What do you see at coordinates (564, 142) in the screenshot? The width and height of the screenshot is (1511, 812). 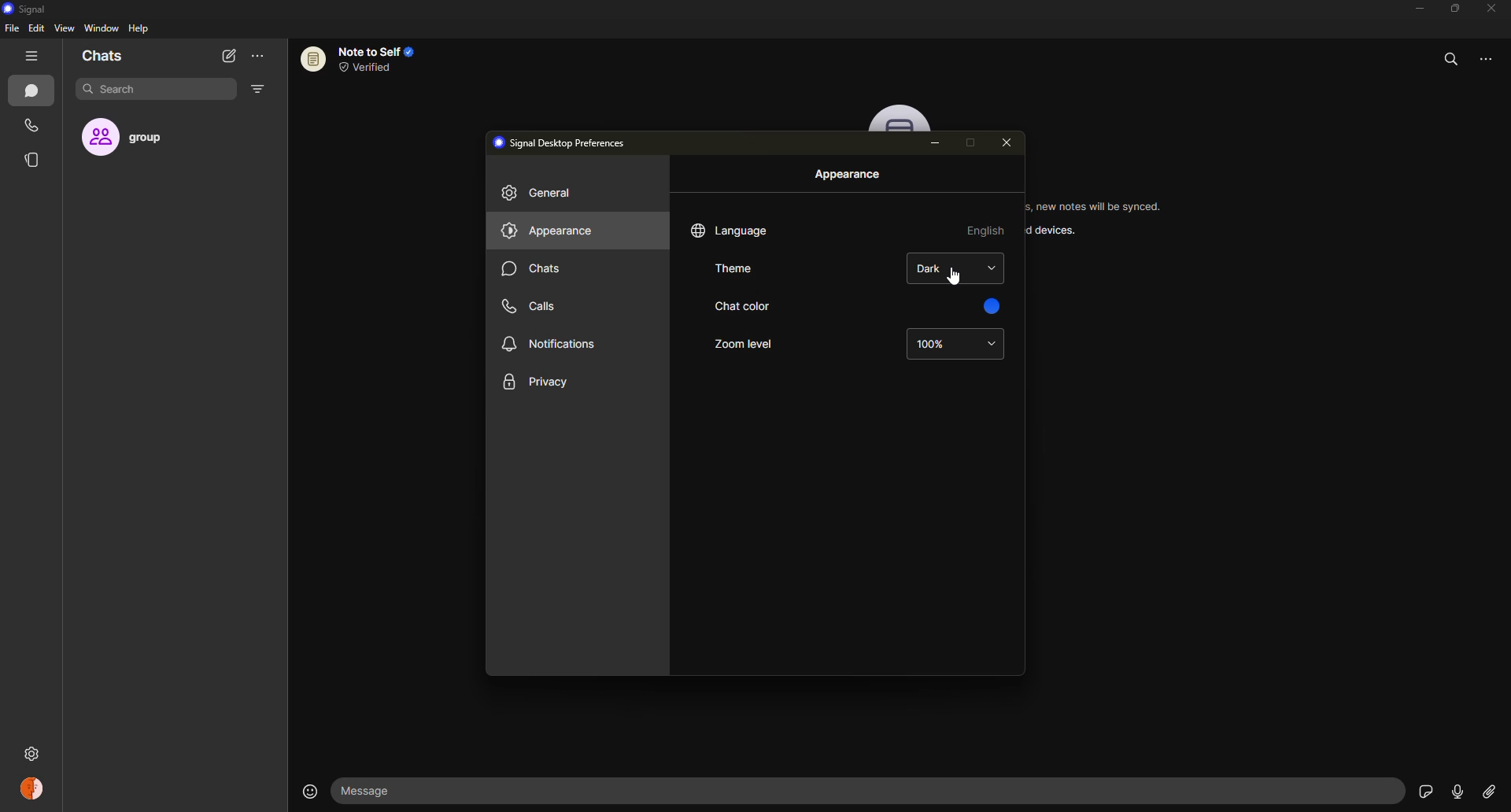 I see `desktop preferences` at bounding box center [564, 142].